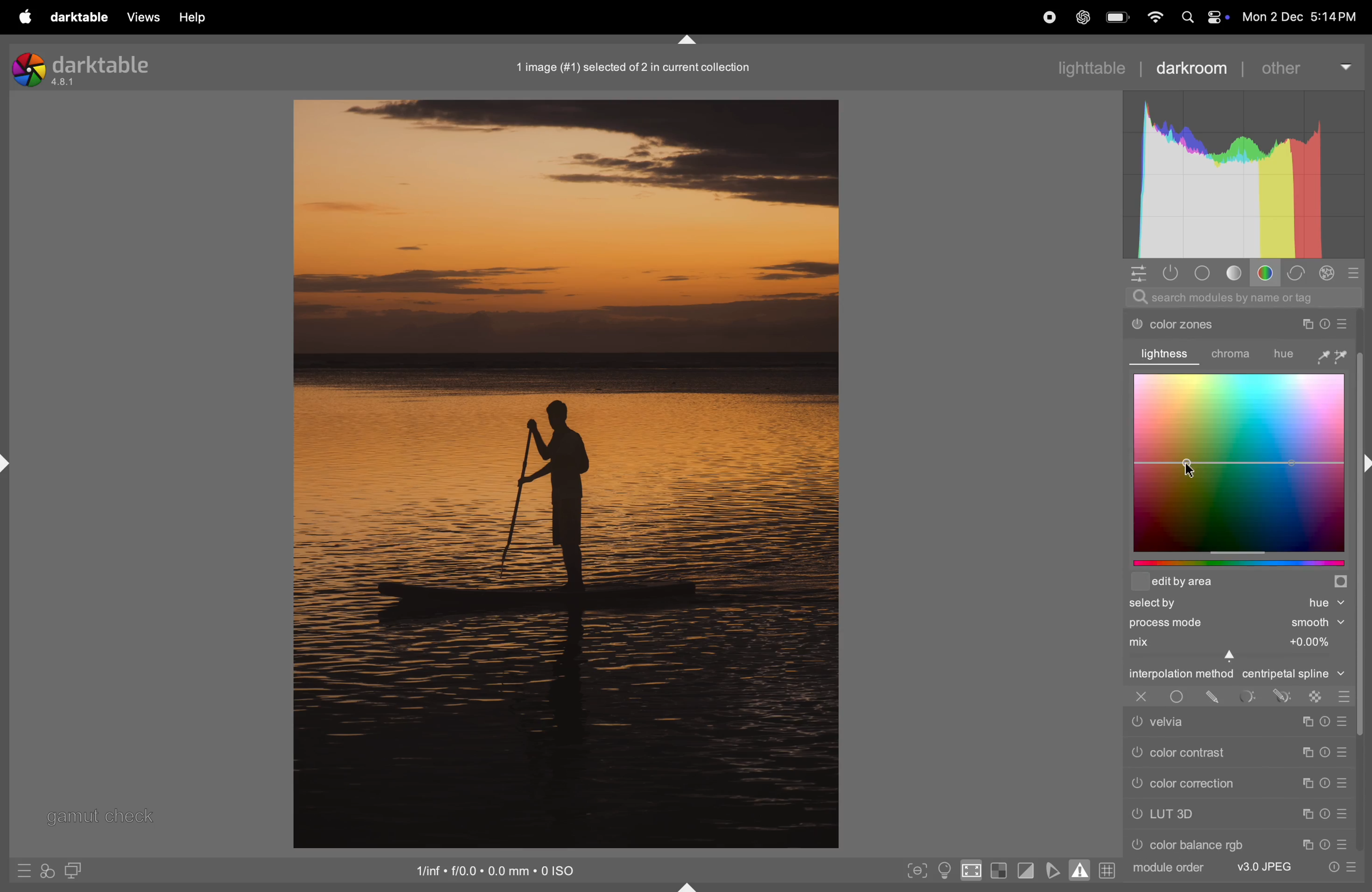 The width and height of the screenshot is (1372, 892). I want to click on edit by graphs, so click(1243, 565).